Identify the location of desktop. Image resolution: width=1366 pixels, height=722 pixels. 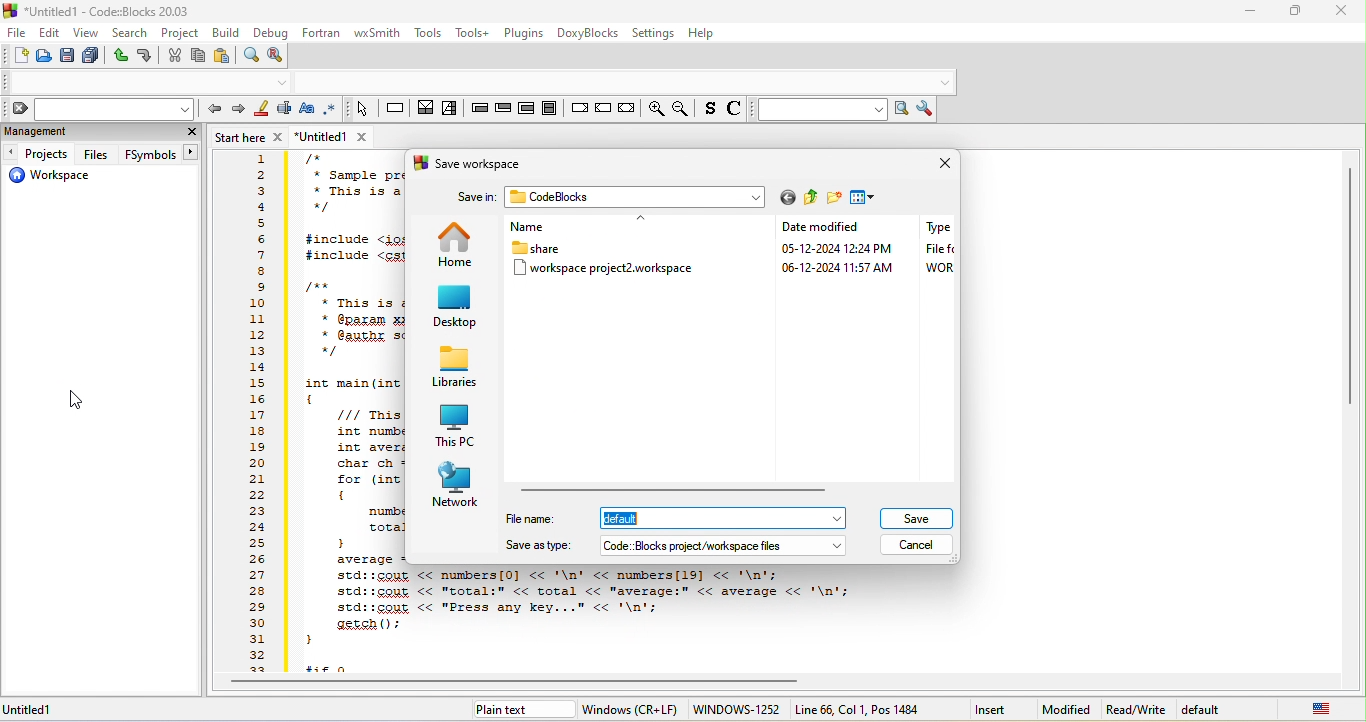
(456, 307).